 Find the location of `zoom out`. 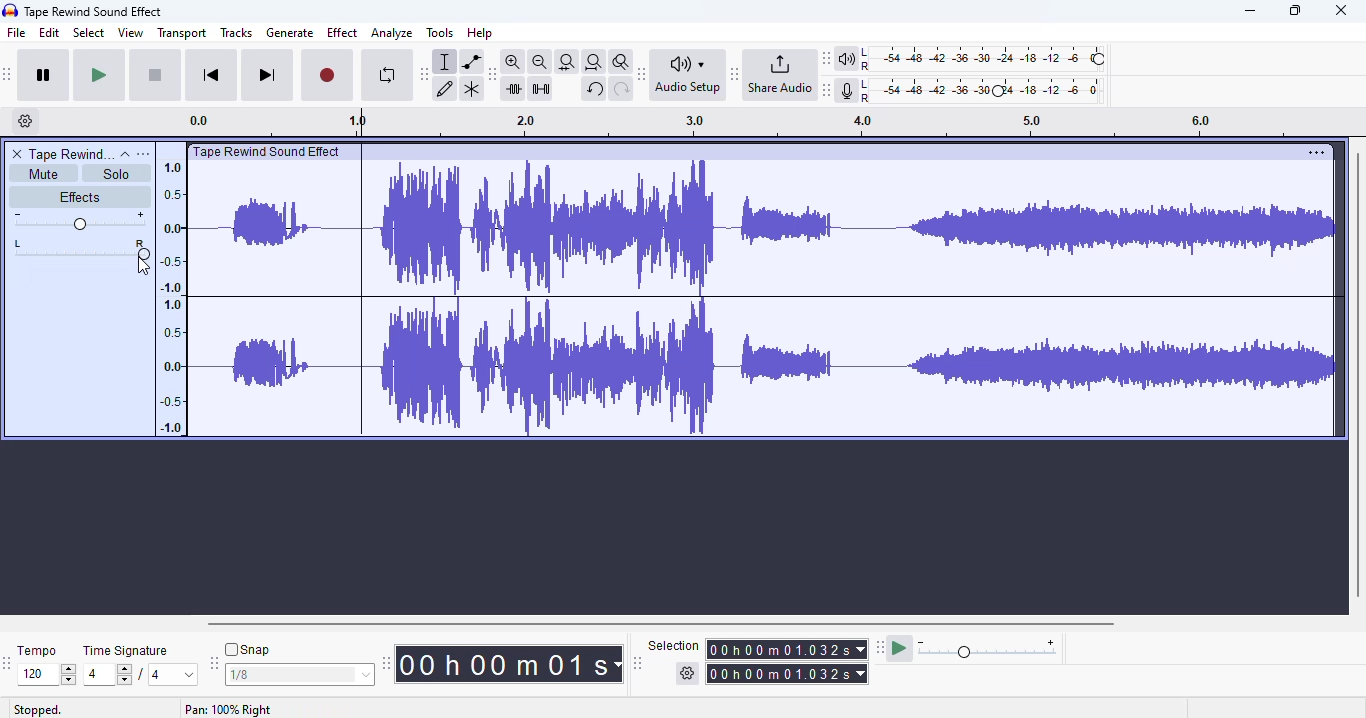

zoom out is located at coordinates (540, 62).